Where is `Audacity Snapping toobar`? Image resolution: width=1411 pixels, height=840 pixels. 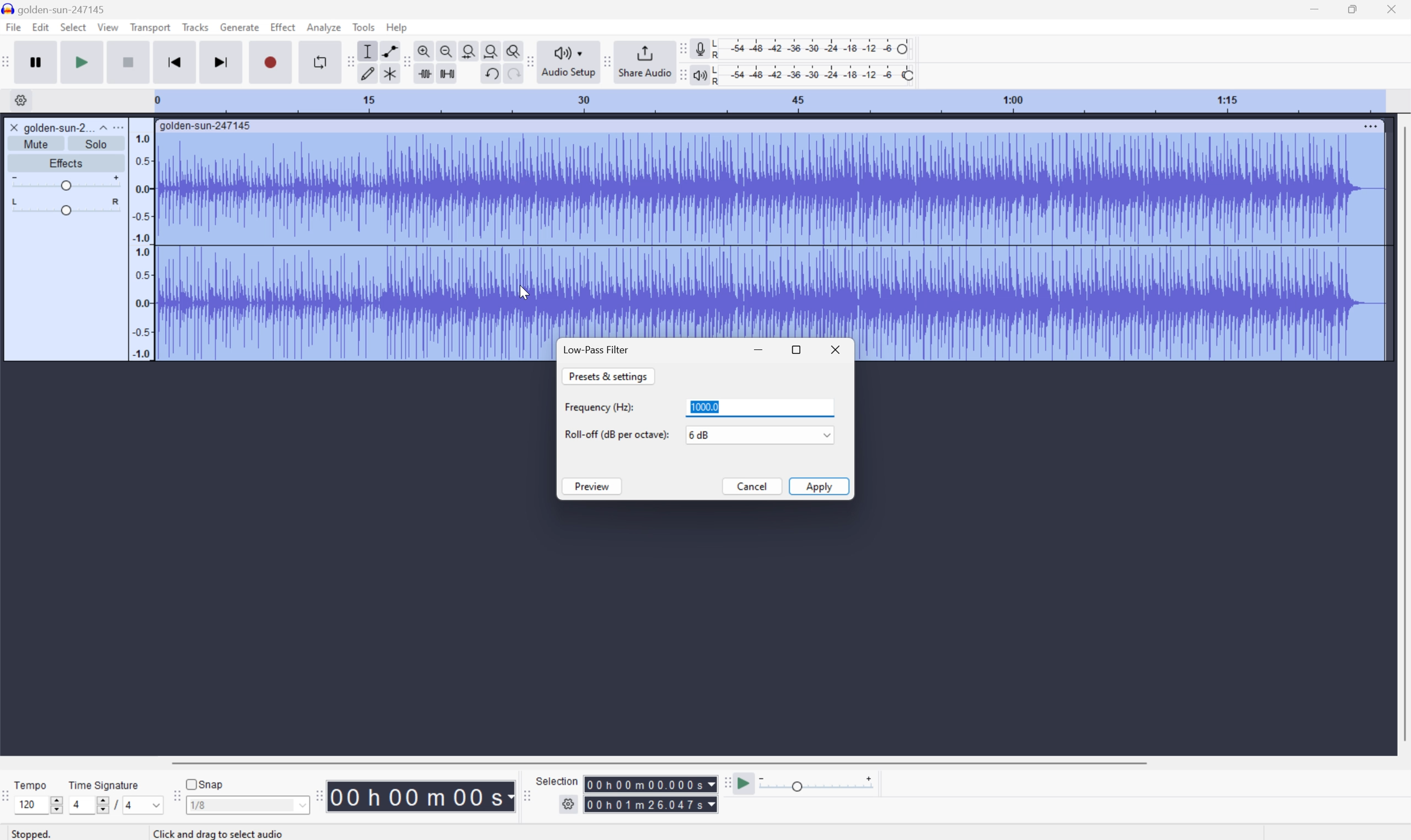 Audacity Snapping toobar is located at coordinates (174, 797).